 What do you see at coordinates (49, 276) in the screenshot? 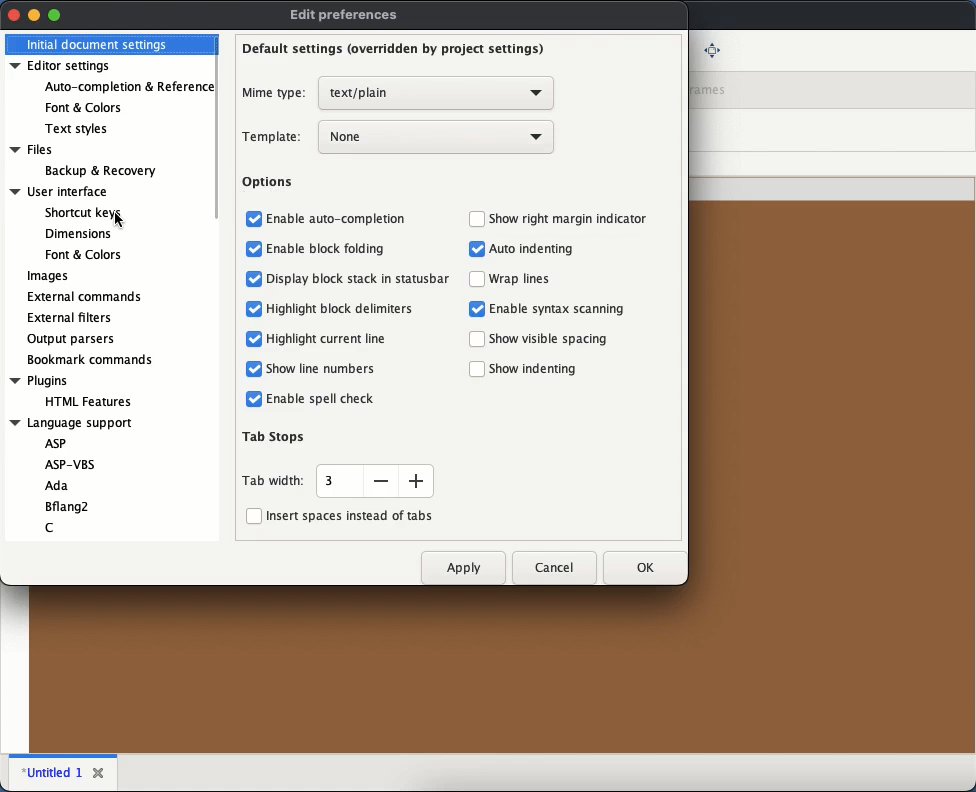
I see `images` at bounding box center [49, 276].